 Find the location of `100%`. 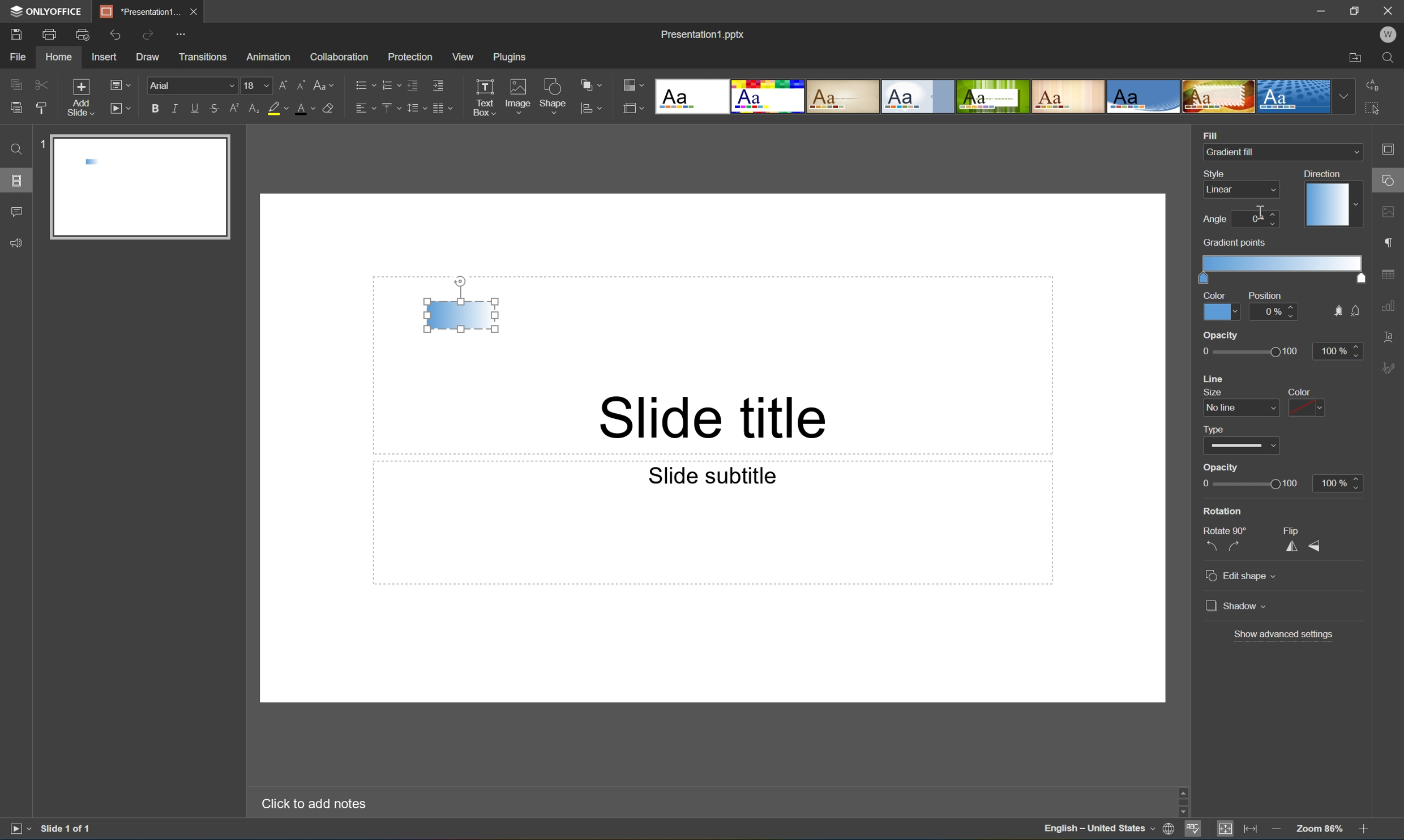

100% is located at coordinates (1338, 482).